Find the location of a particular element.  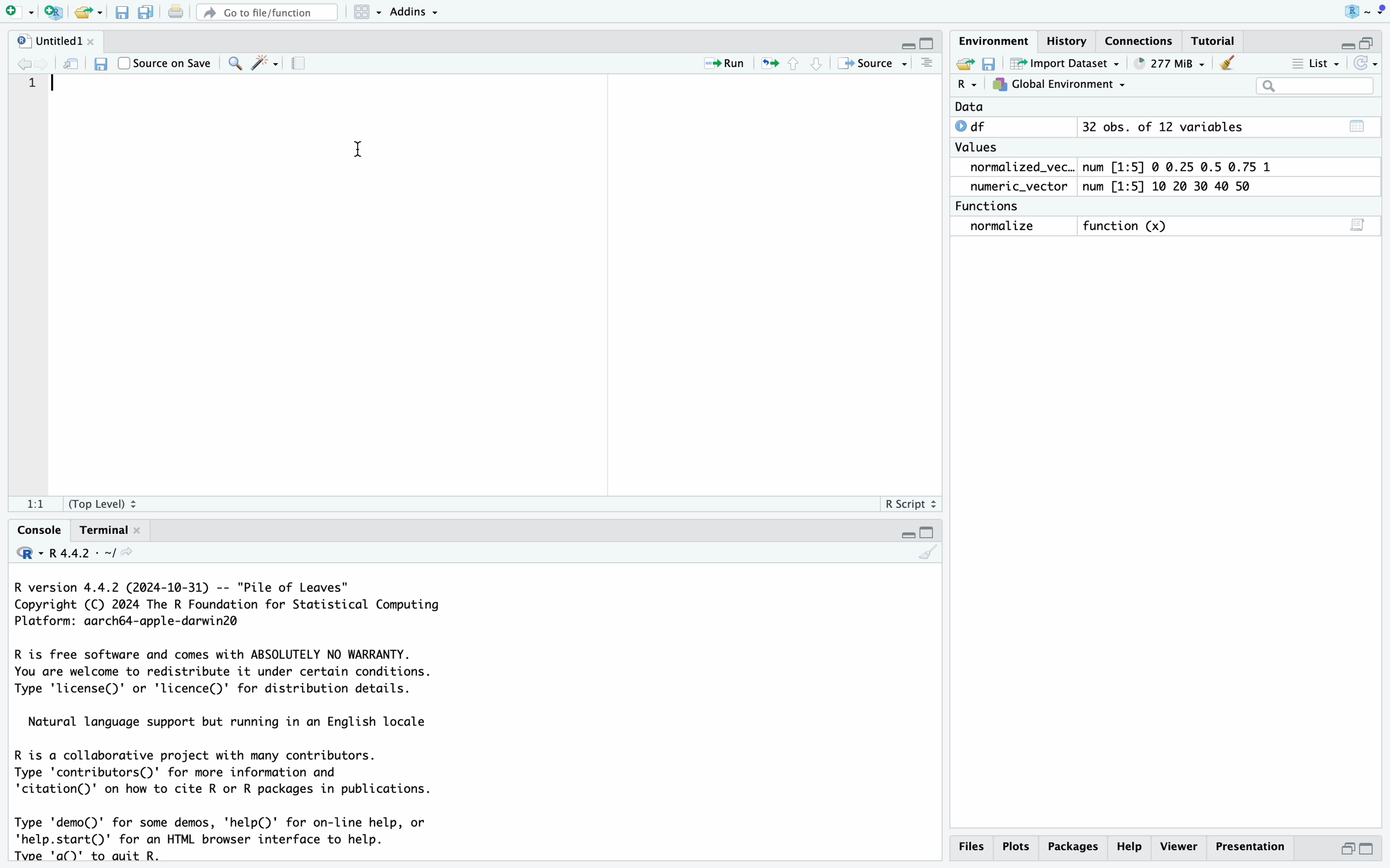

WRITOR is located at coordinates (264, 64).